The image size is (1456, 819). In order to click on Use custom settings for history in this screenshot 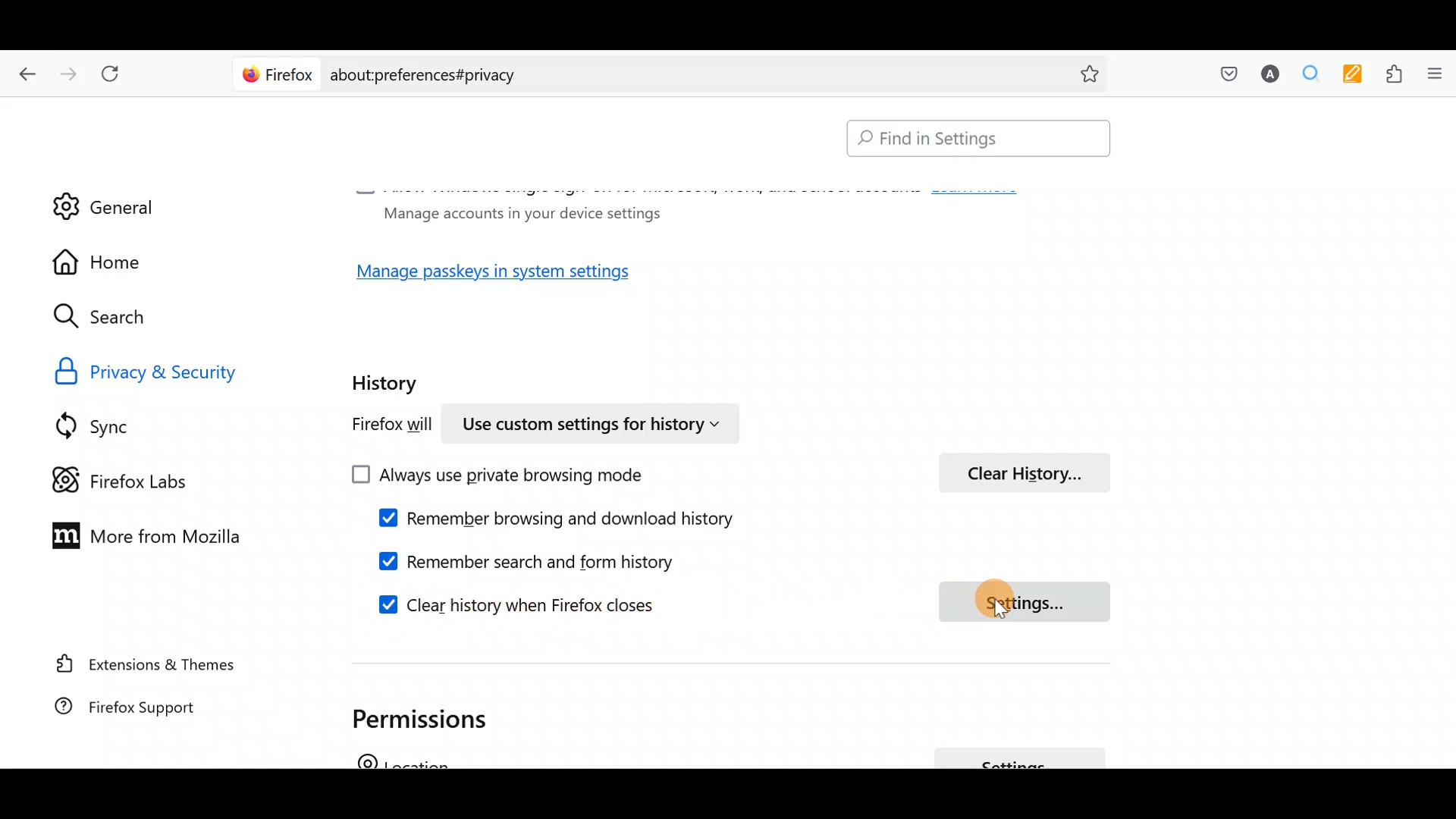, I will do `click(595, 422)`.